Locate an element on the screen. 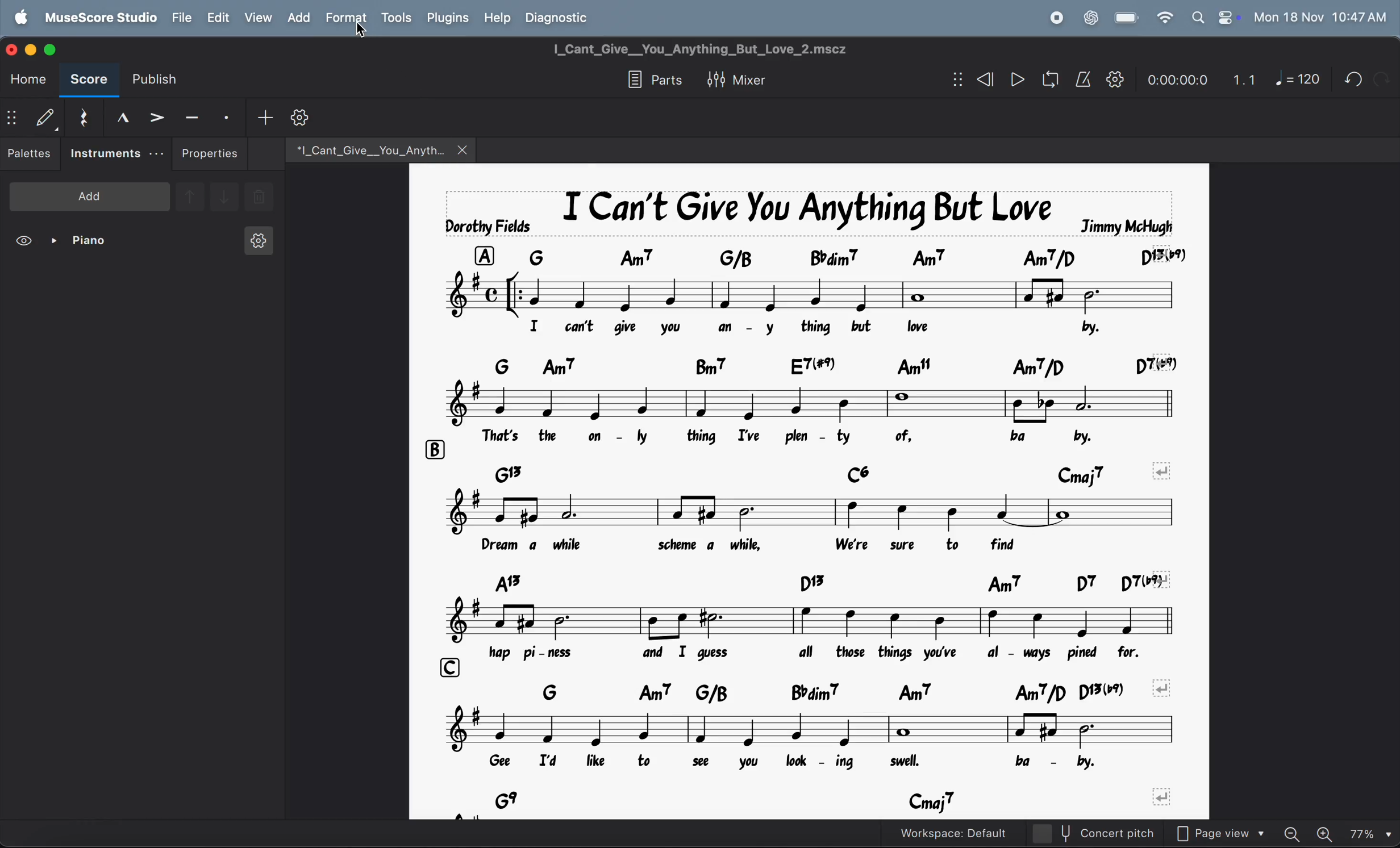  rewind is located at coordinates (983, 80).